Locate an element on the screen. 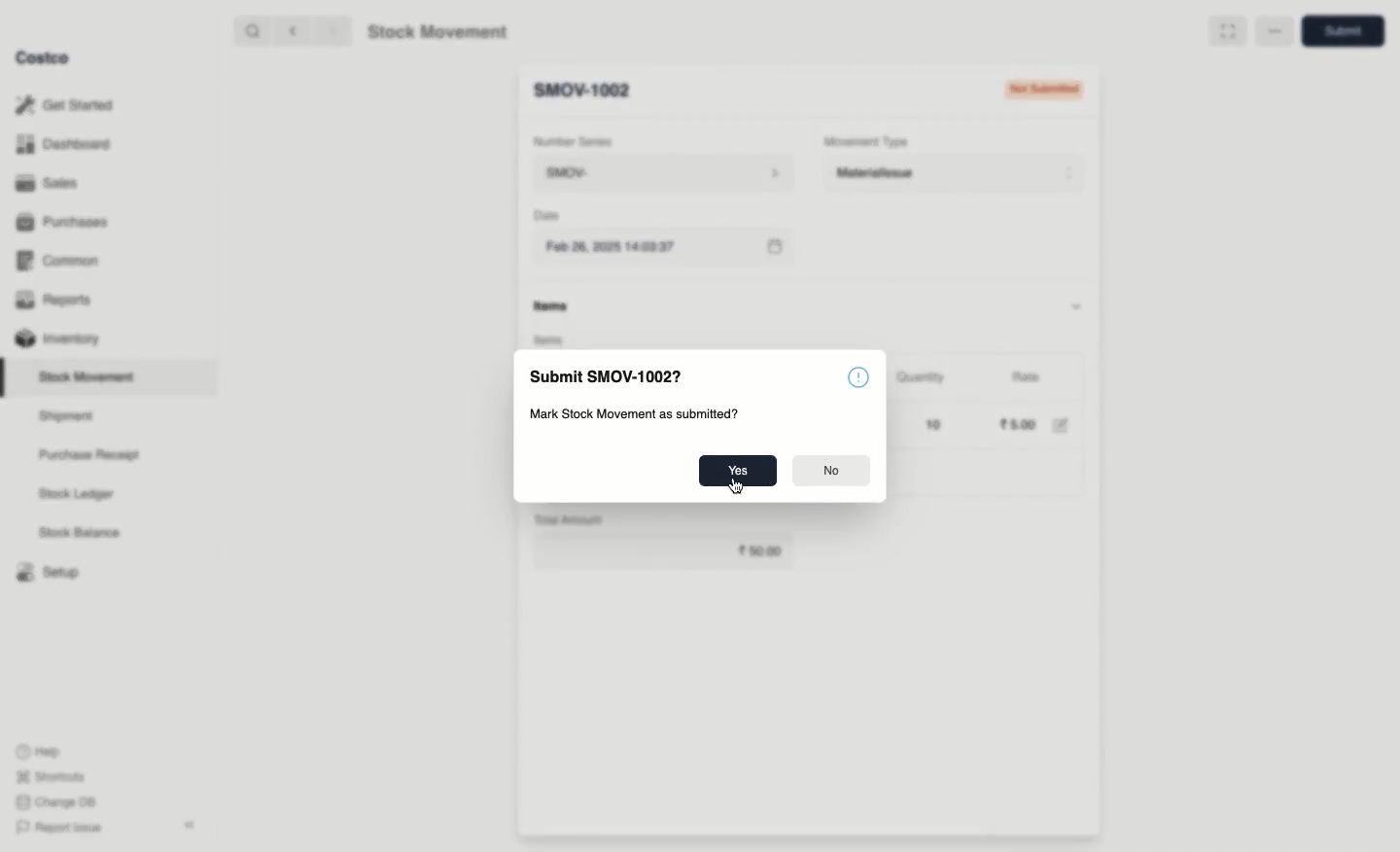 The width and height of the screenshot is (1400, 852). Movement Type is located at coordinates (867, 141).